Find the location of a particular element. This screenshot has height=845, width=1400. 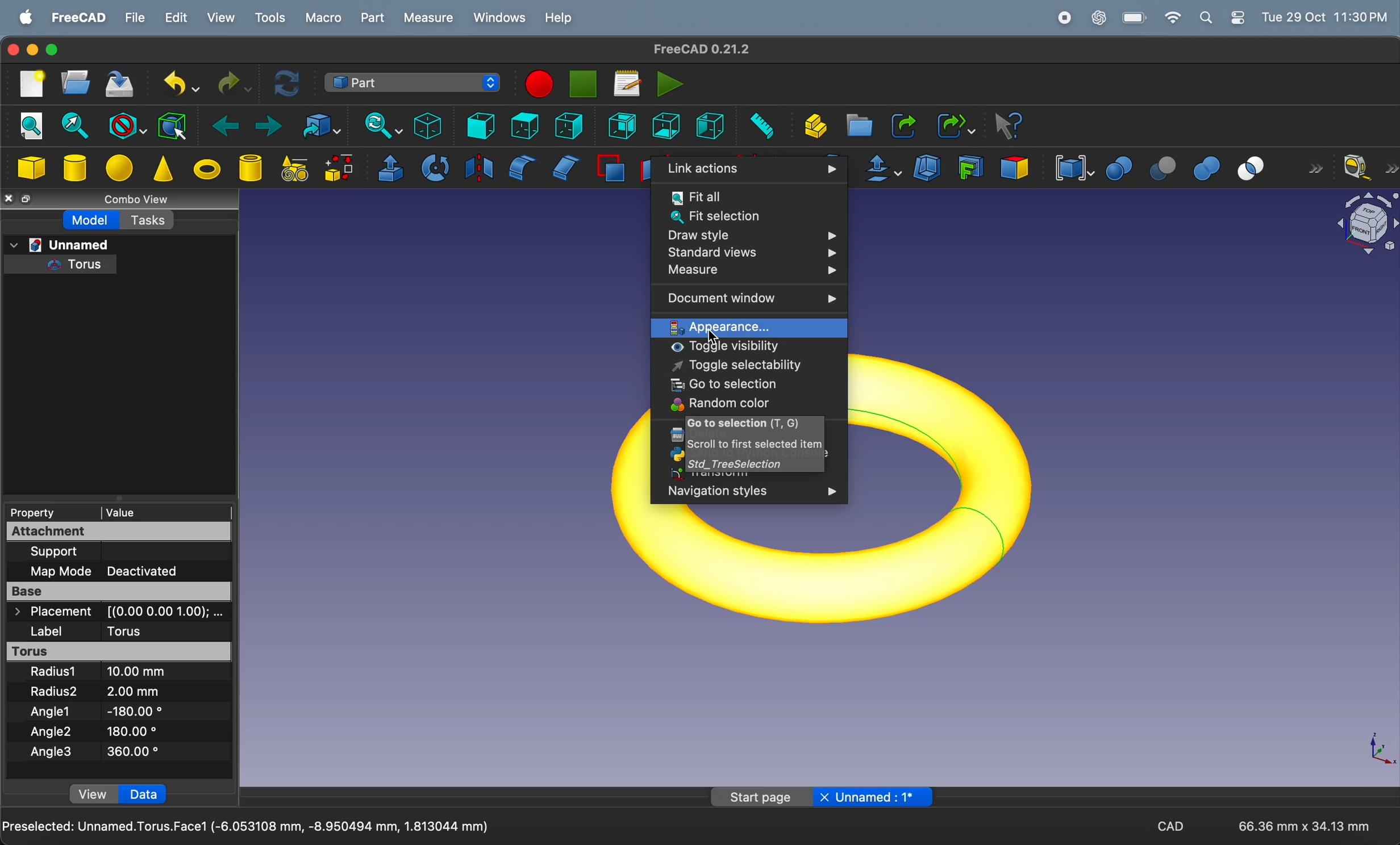

Angle 3 is located at coordinates (51, 753).